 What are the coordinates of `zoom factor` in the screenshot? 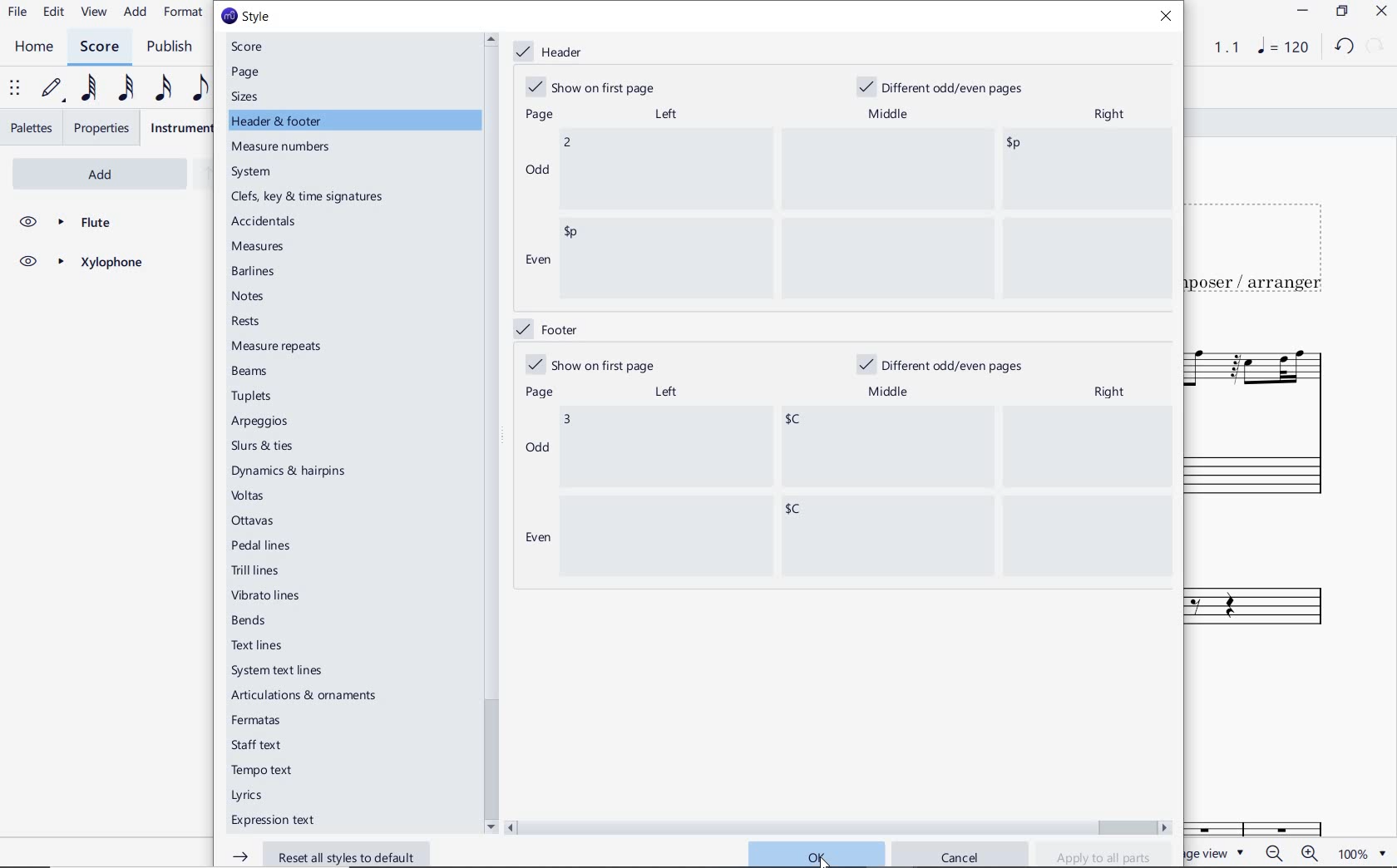 It's located at (1360, 853).